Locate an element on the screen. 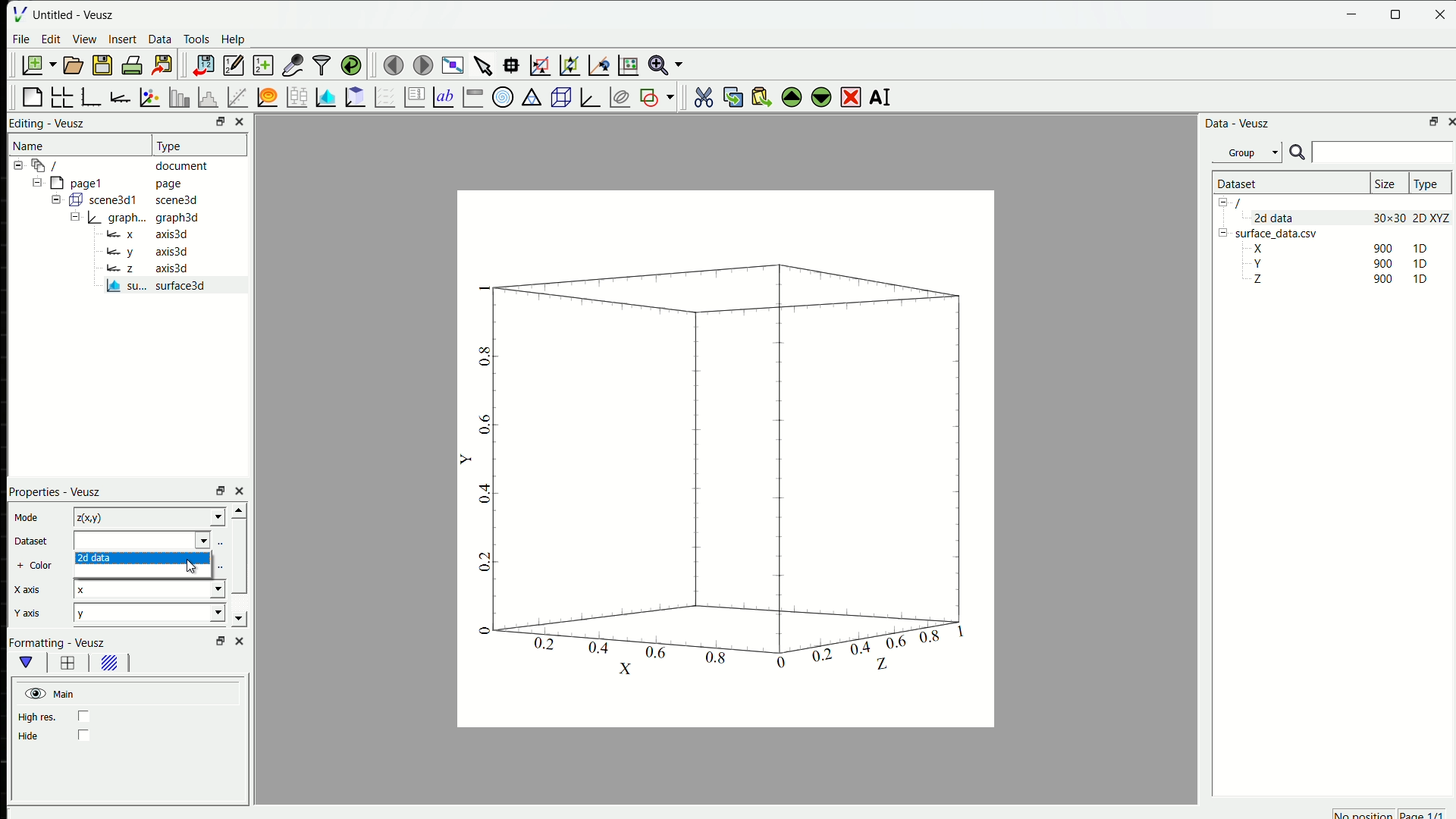  add a shape to the plot is located at coordinates (657, 96).